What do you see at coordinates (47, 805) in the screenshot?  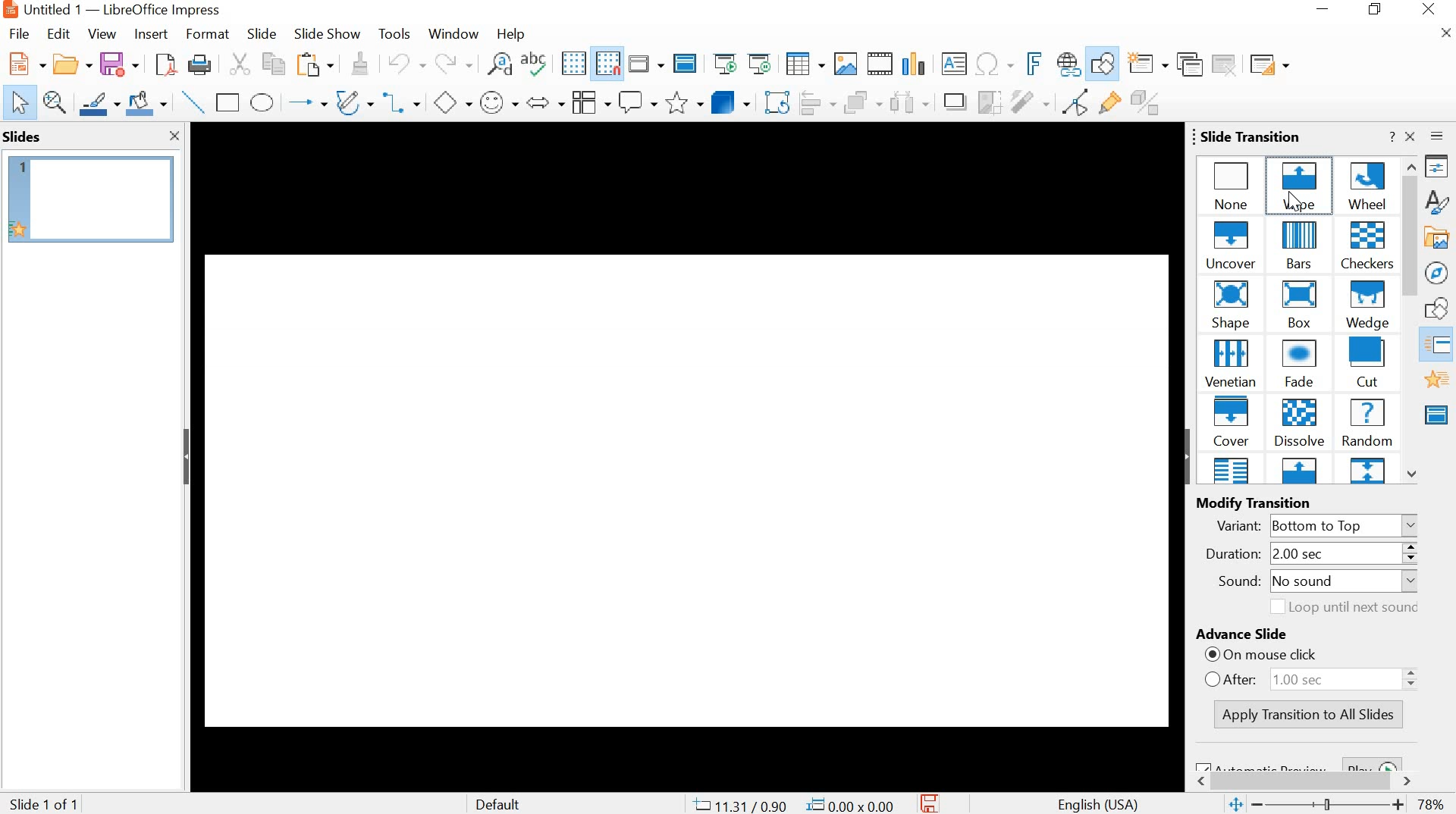 I see `SLIDE 1 OF 1` at bounding box center [47, 805].